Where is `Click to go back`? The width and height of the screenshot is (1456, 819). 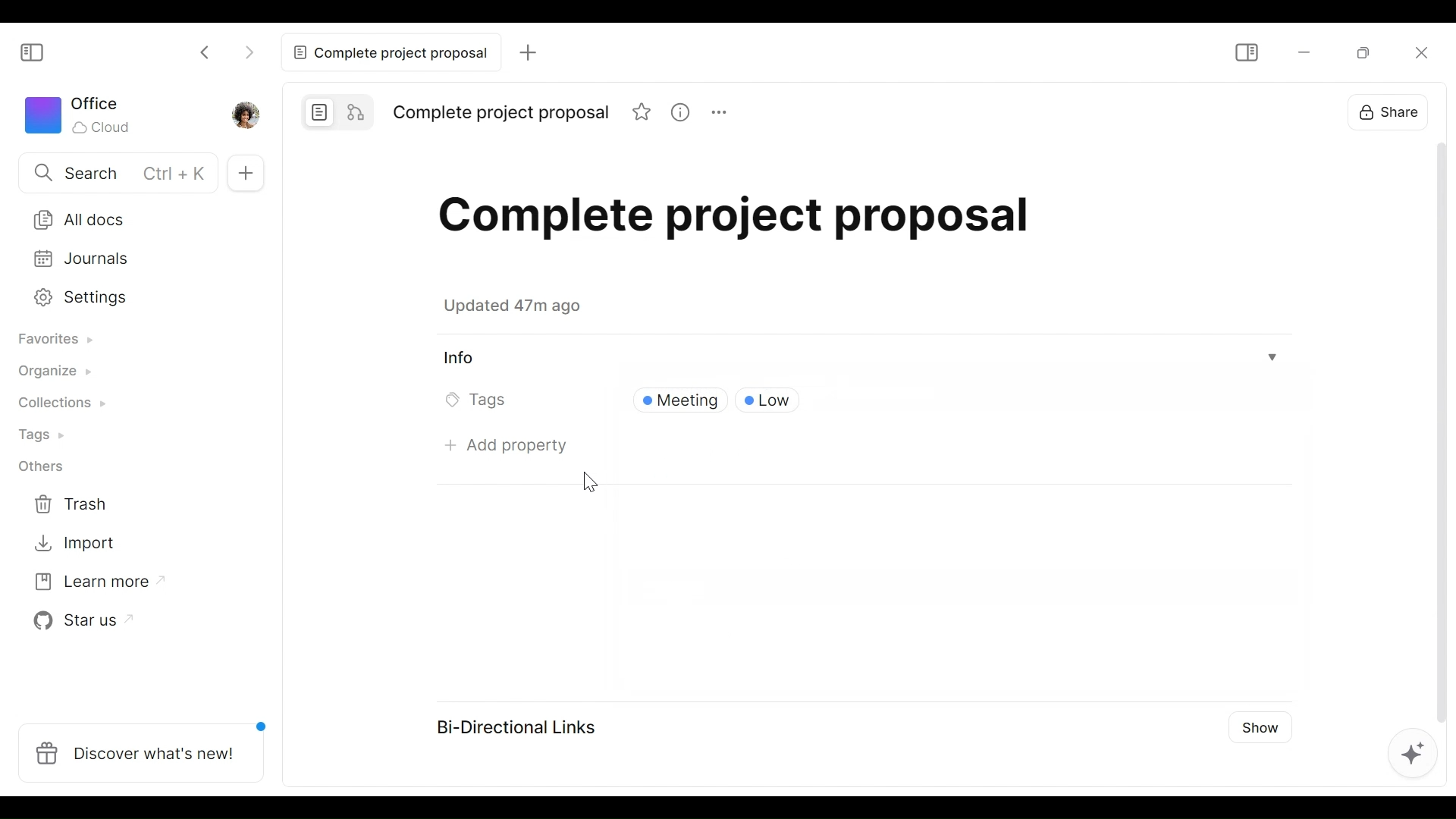
Click to go back is located at coordinates (209, 50).